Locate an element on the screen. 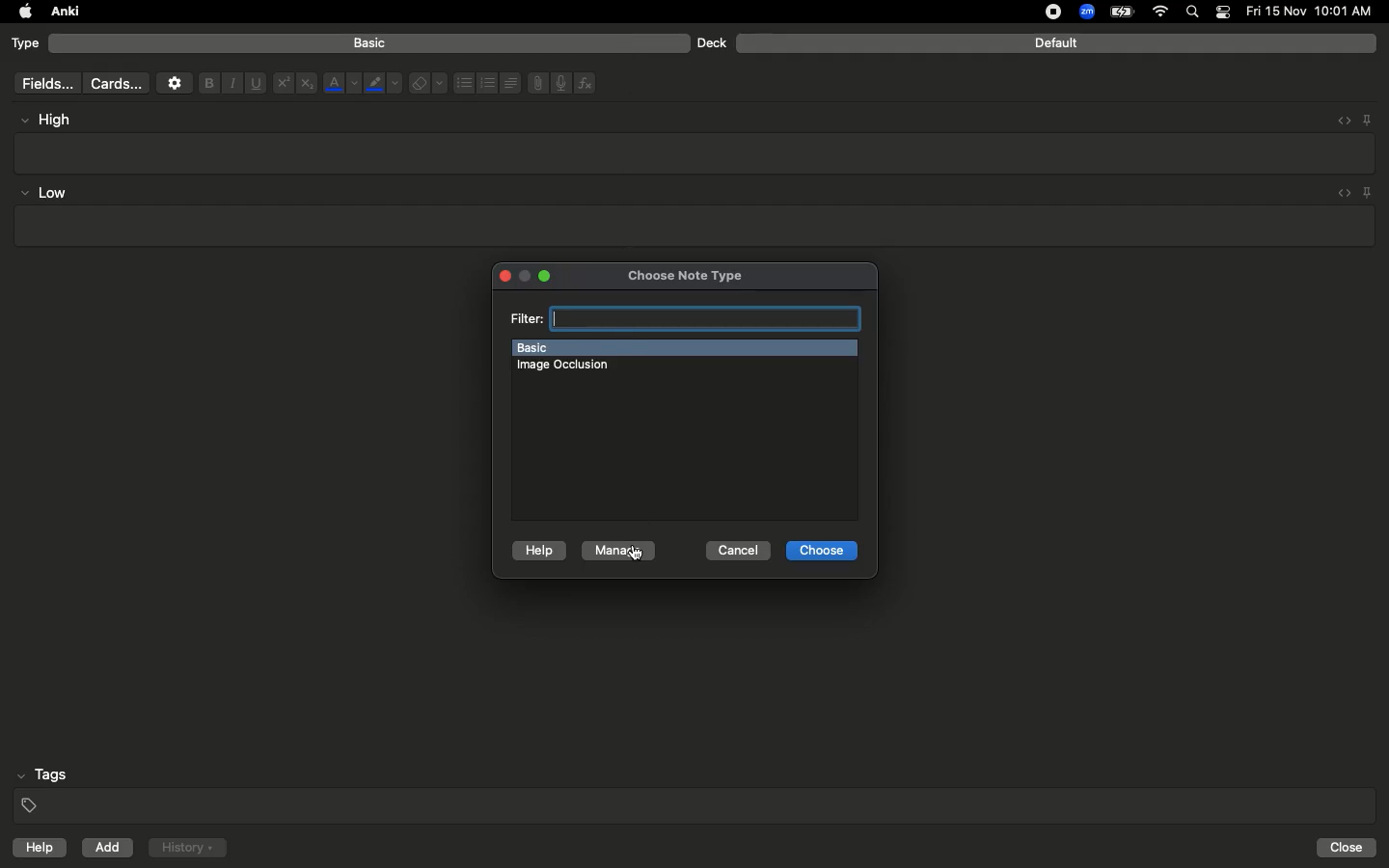 Image resolution: width=1389 pixels, height=868 pixels. Zoom is located at coordinates (1085, 13).